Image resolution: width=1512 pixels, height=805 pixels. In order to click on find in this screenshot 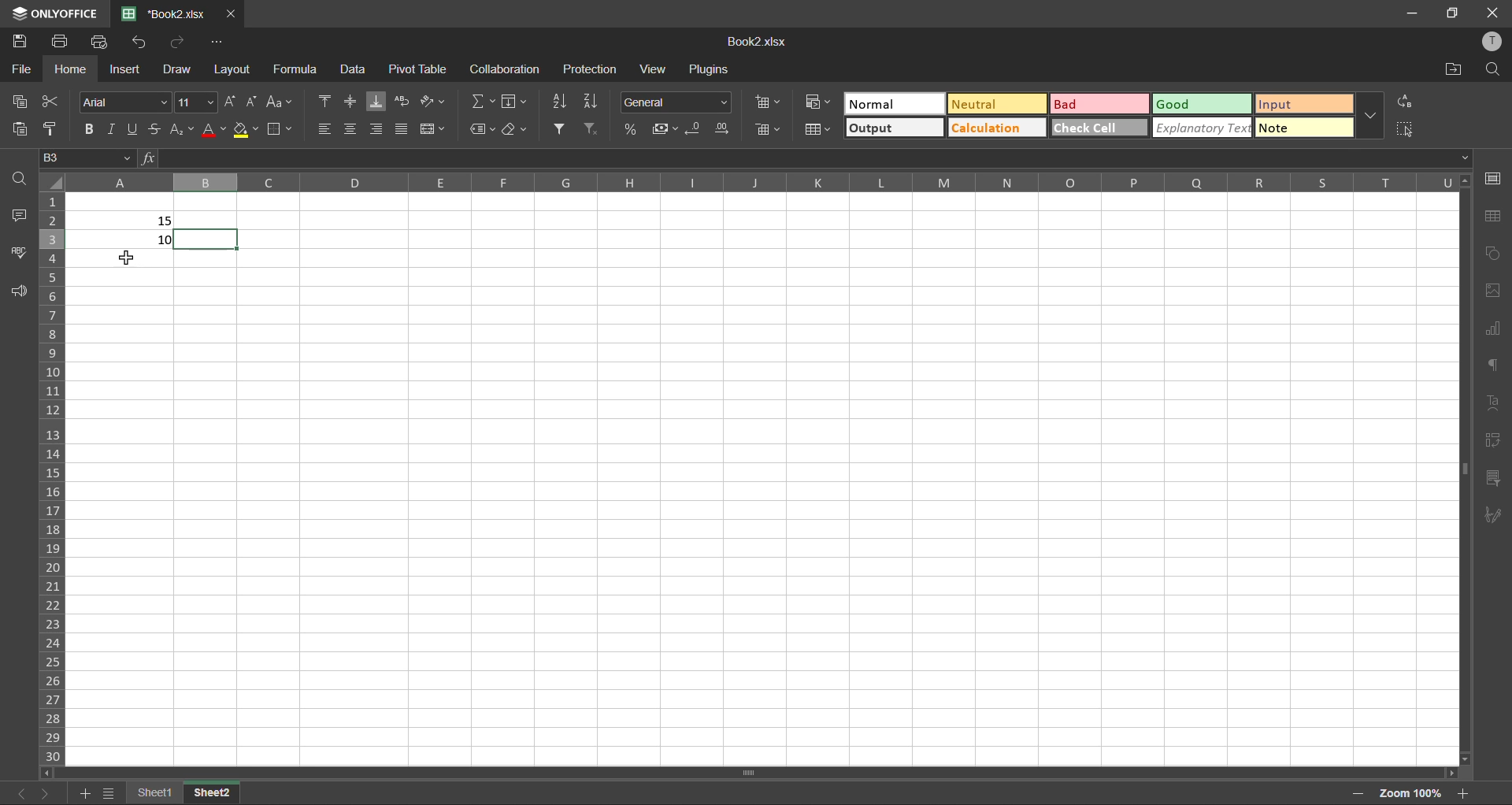, I will do `click(1493, 68)`.